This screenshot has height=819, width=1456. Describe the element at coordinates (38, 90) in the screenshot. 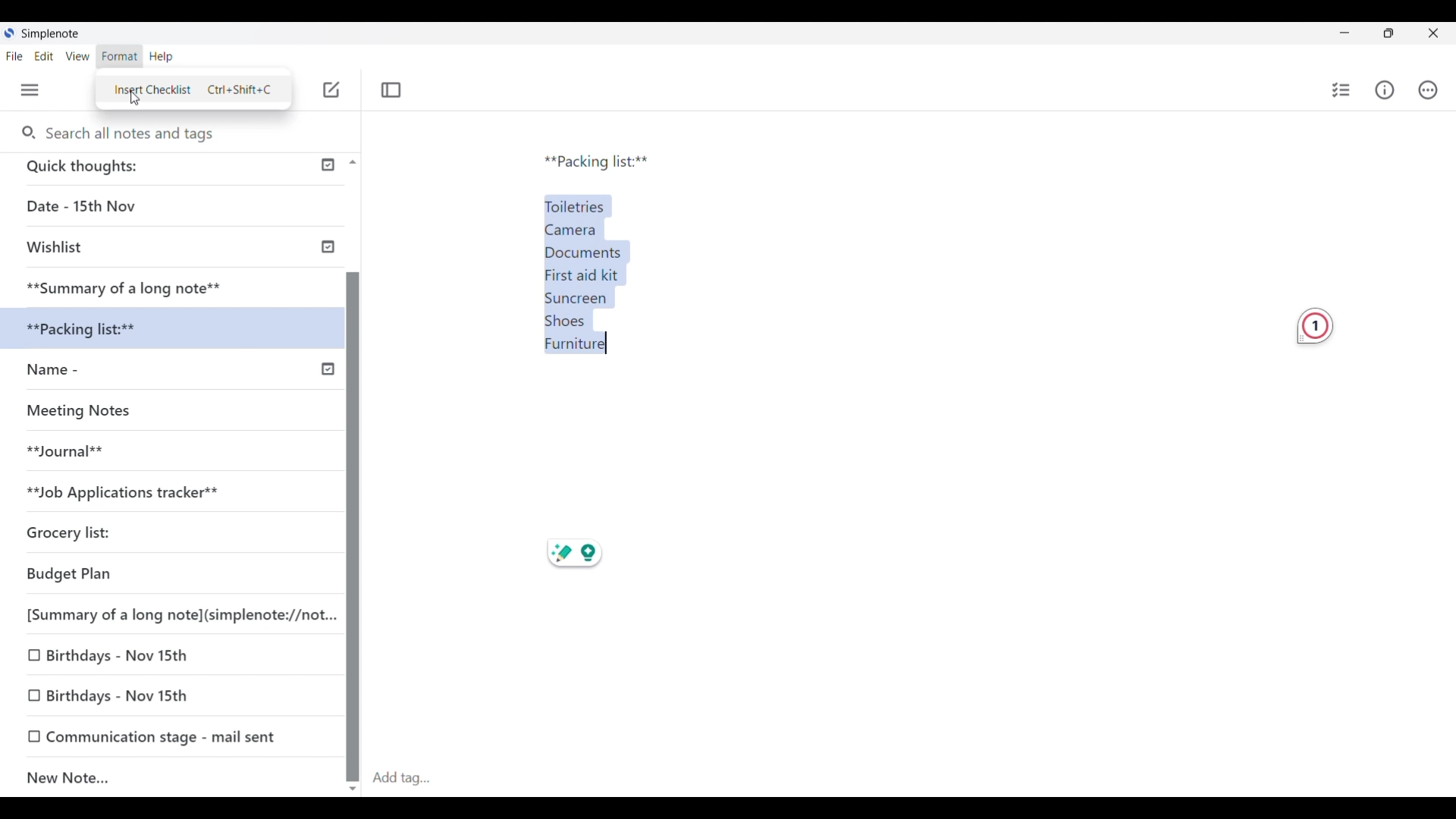

I see `menu` at that location.